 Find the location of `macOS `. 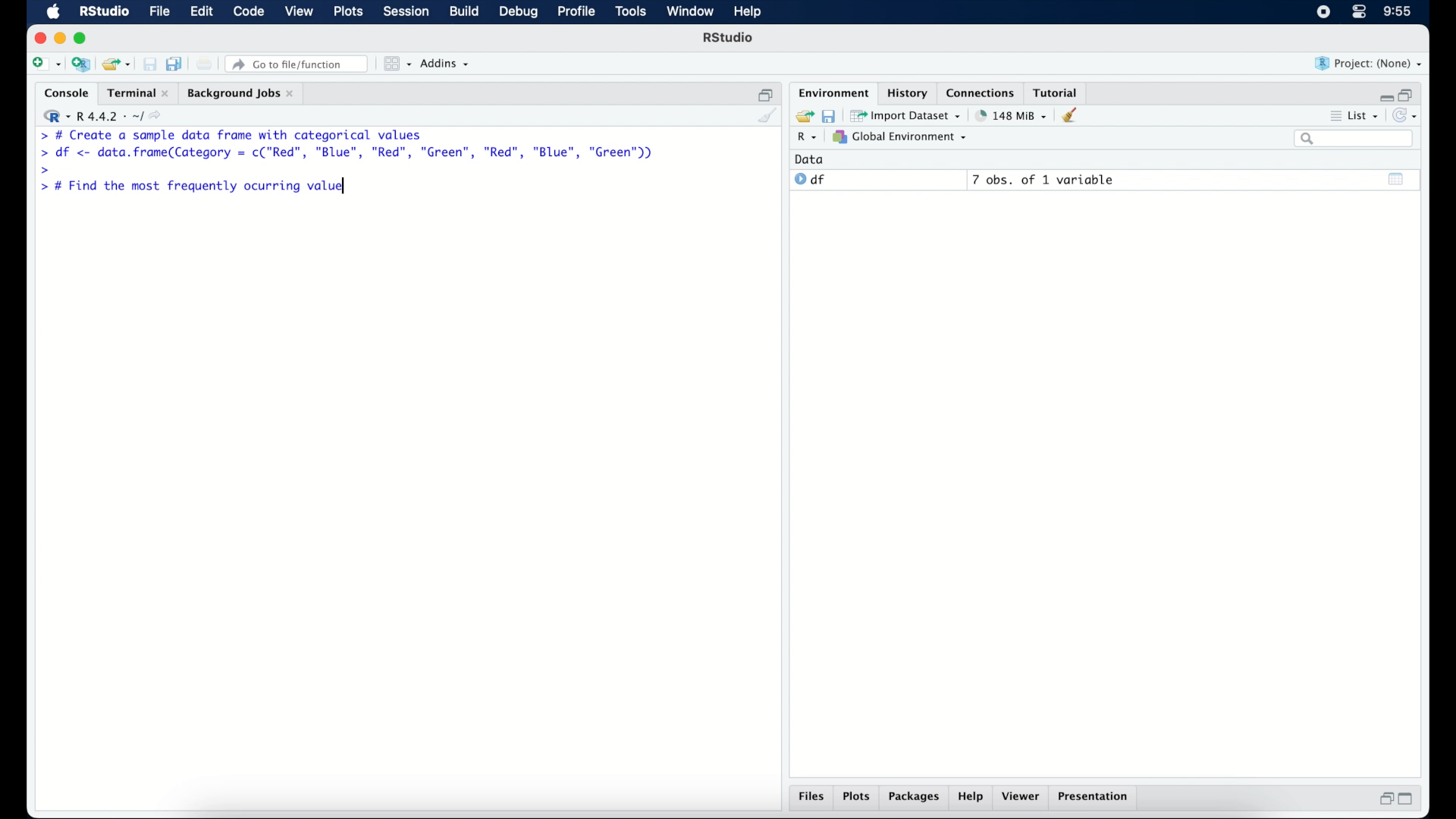

macOS  is located at coordinates (53, 12).